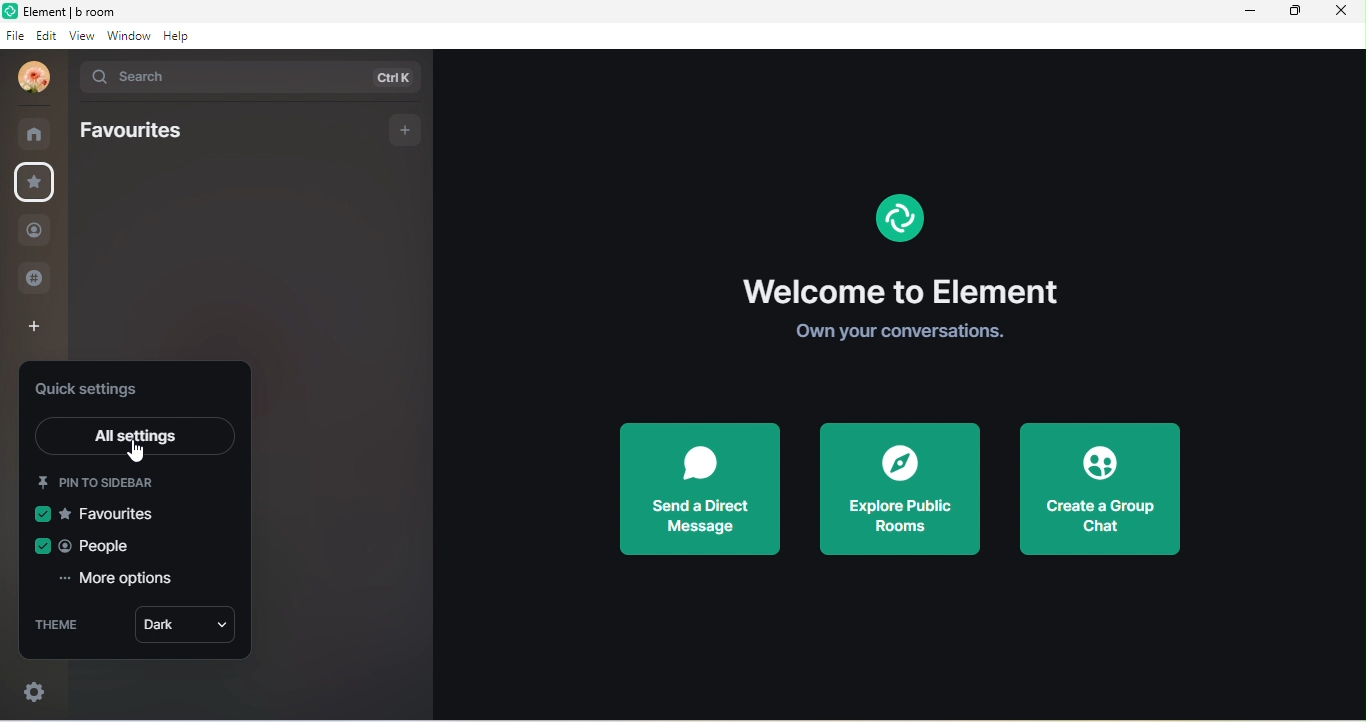  I want to click on account, so click(31, 79).